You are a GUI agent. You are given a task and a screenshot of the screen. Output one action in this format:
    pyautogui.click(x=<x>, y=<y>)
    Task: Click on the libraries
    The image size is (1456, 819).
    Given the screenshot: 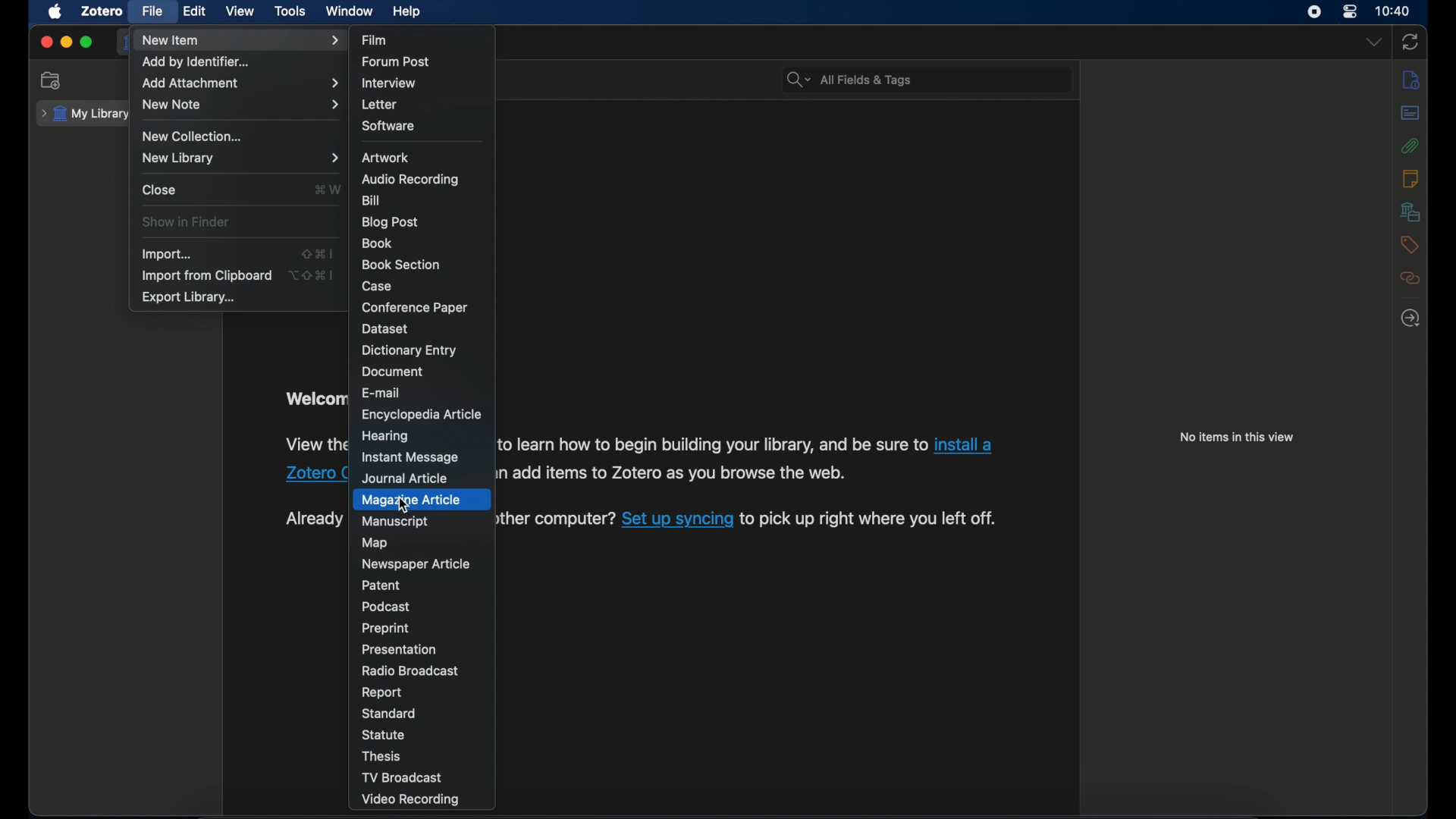 What is the action you would take?
    pyautogui.click(x=1407, y=212)
    